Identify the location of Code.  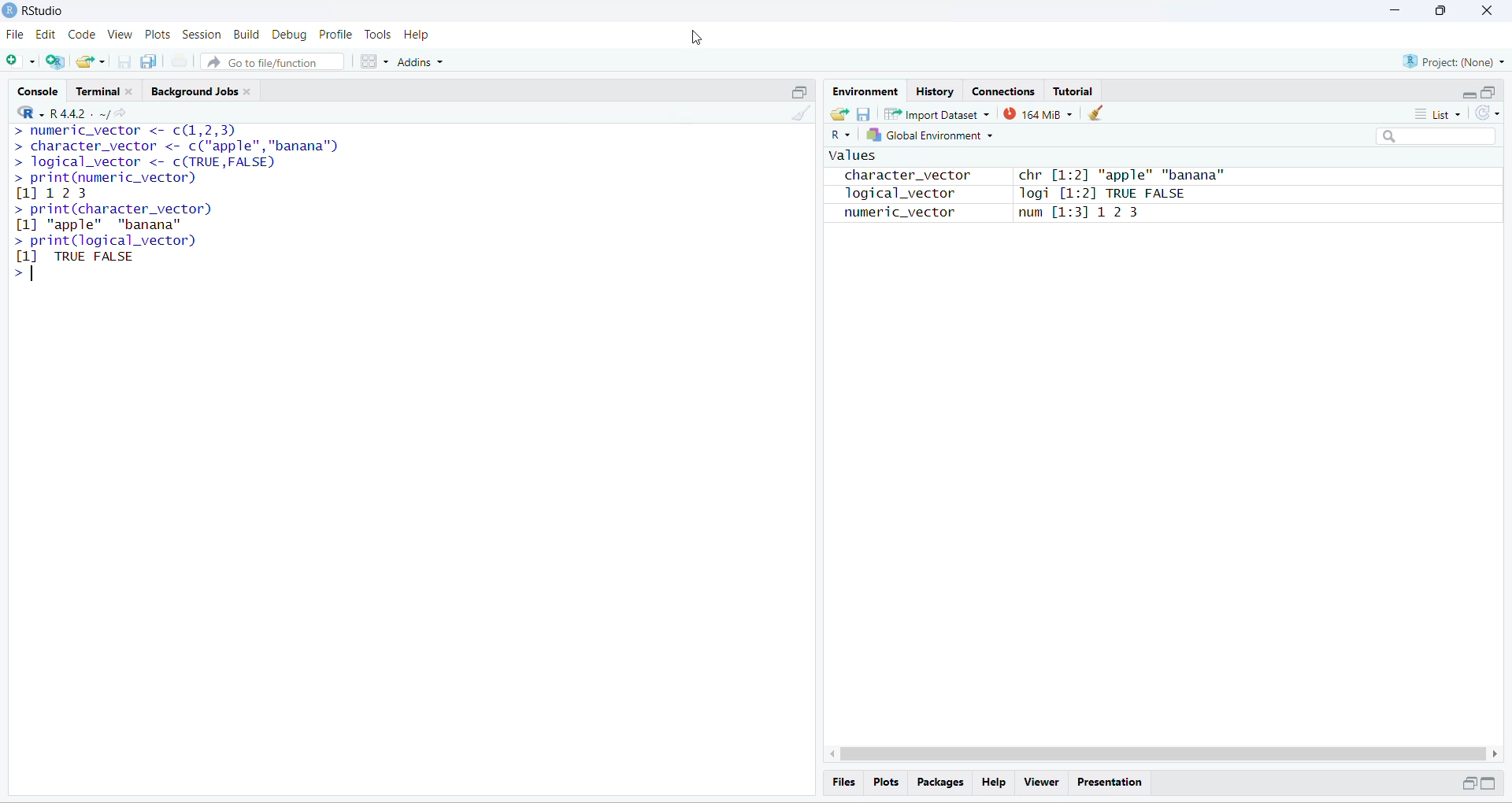
(80, 35).